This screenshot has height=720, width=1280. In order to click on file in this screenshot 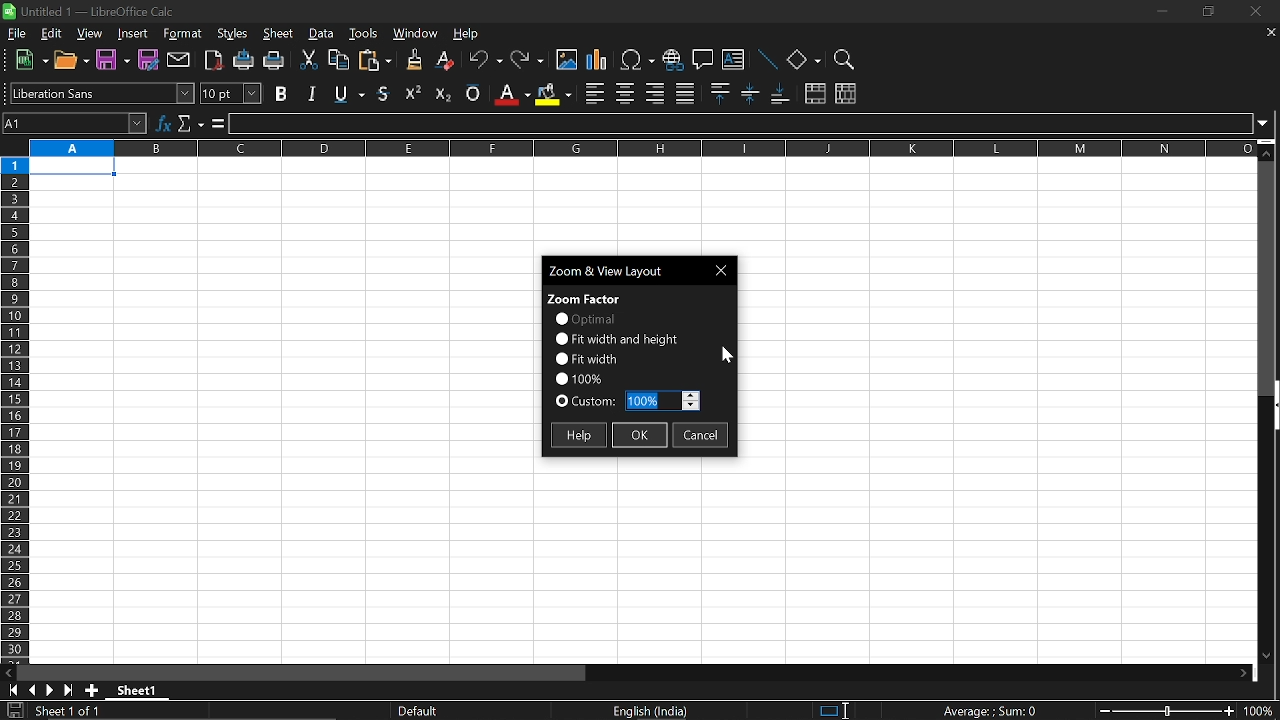, I will do `click(18, 34)`.